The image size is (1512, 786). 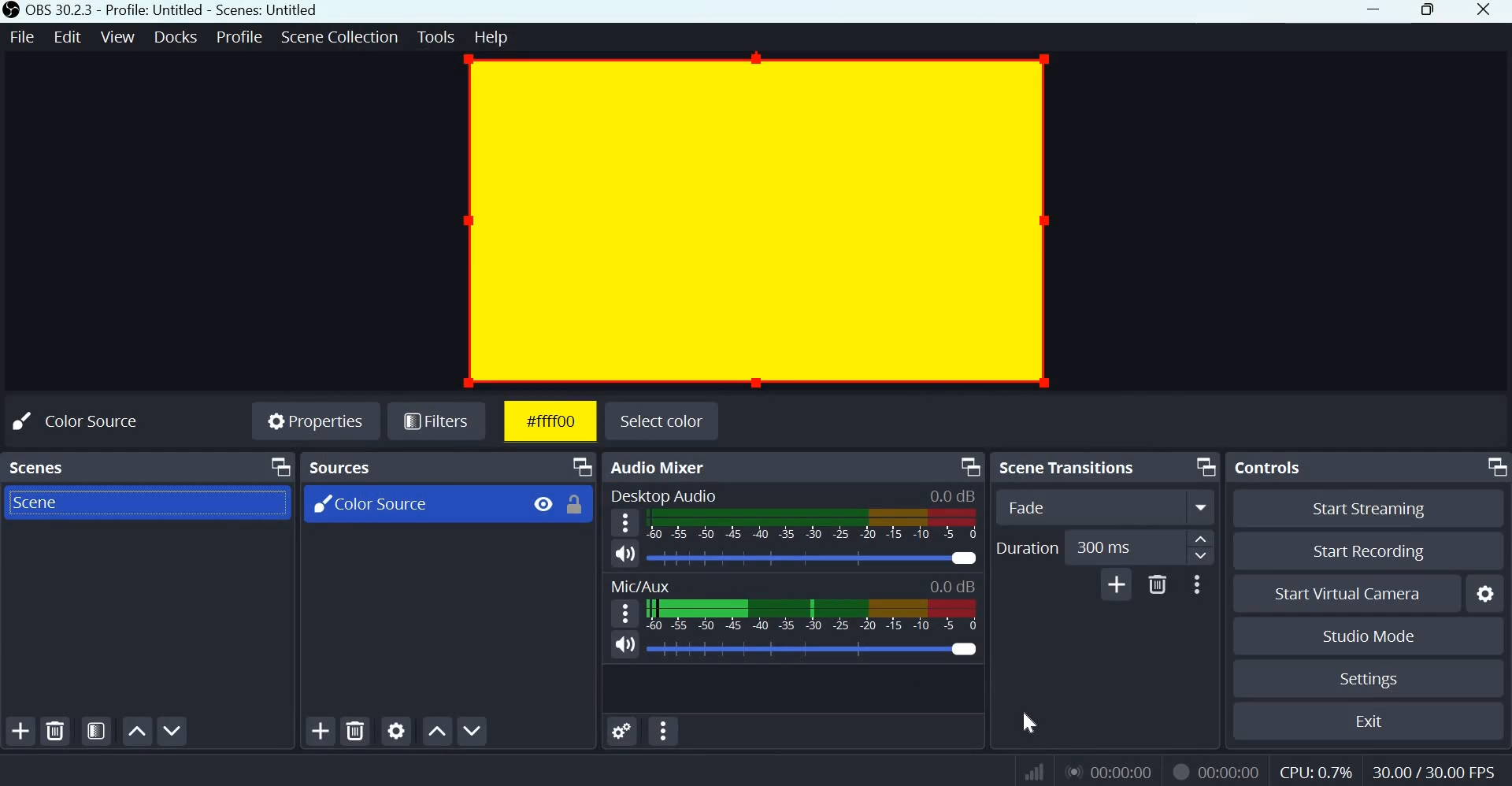 What do you see at coordinates (1106, 507) in the screenshot?
I see `Transition Type Dropdown` at bounding box center [1106, 507].